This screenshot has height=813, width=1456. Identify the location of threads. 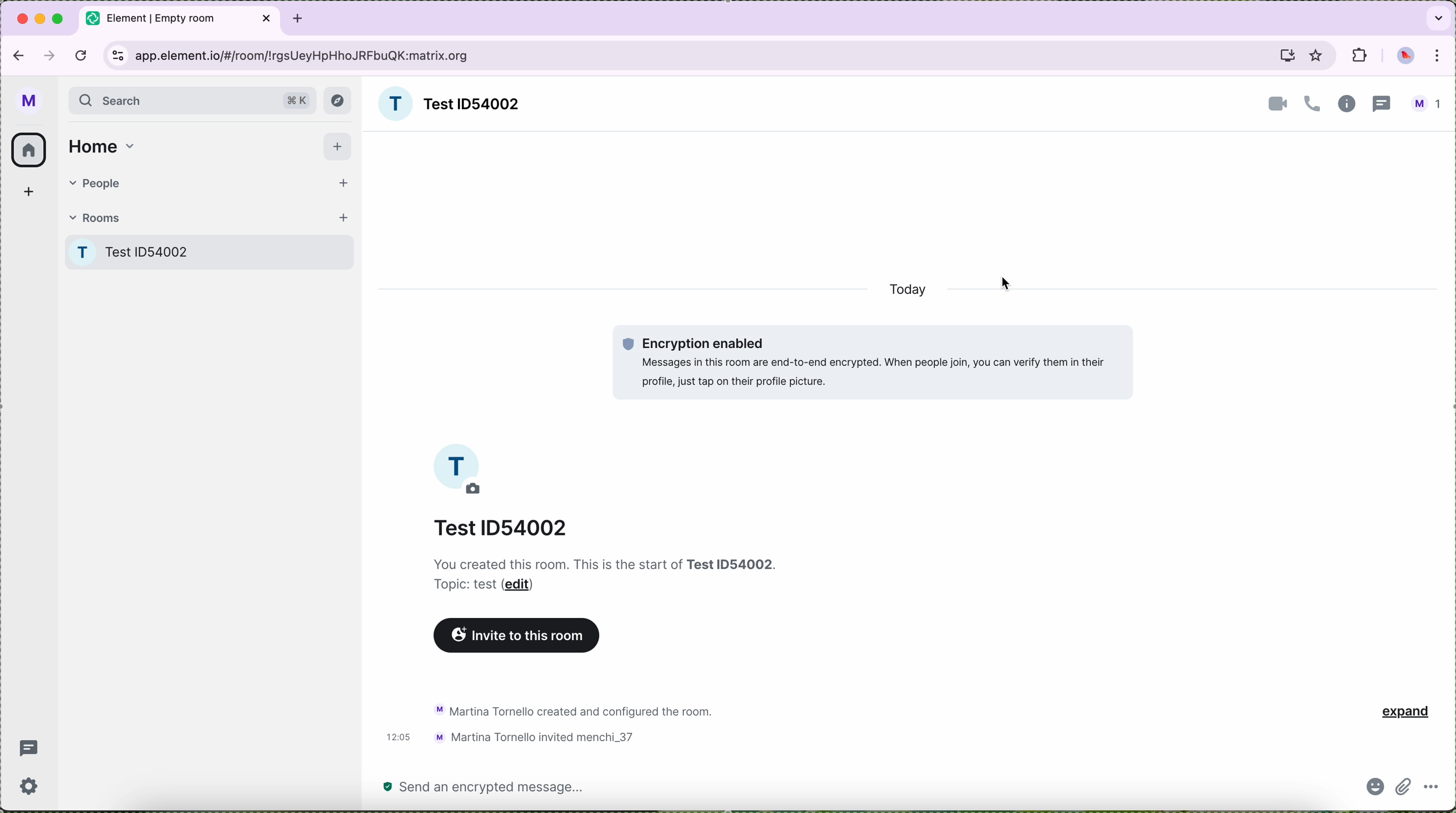
(32, 747).